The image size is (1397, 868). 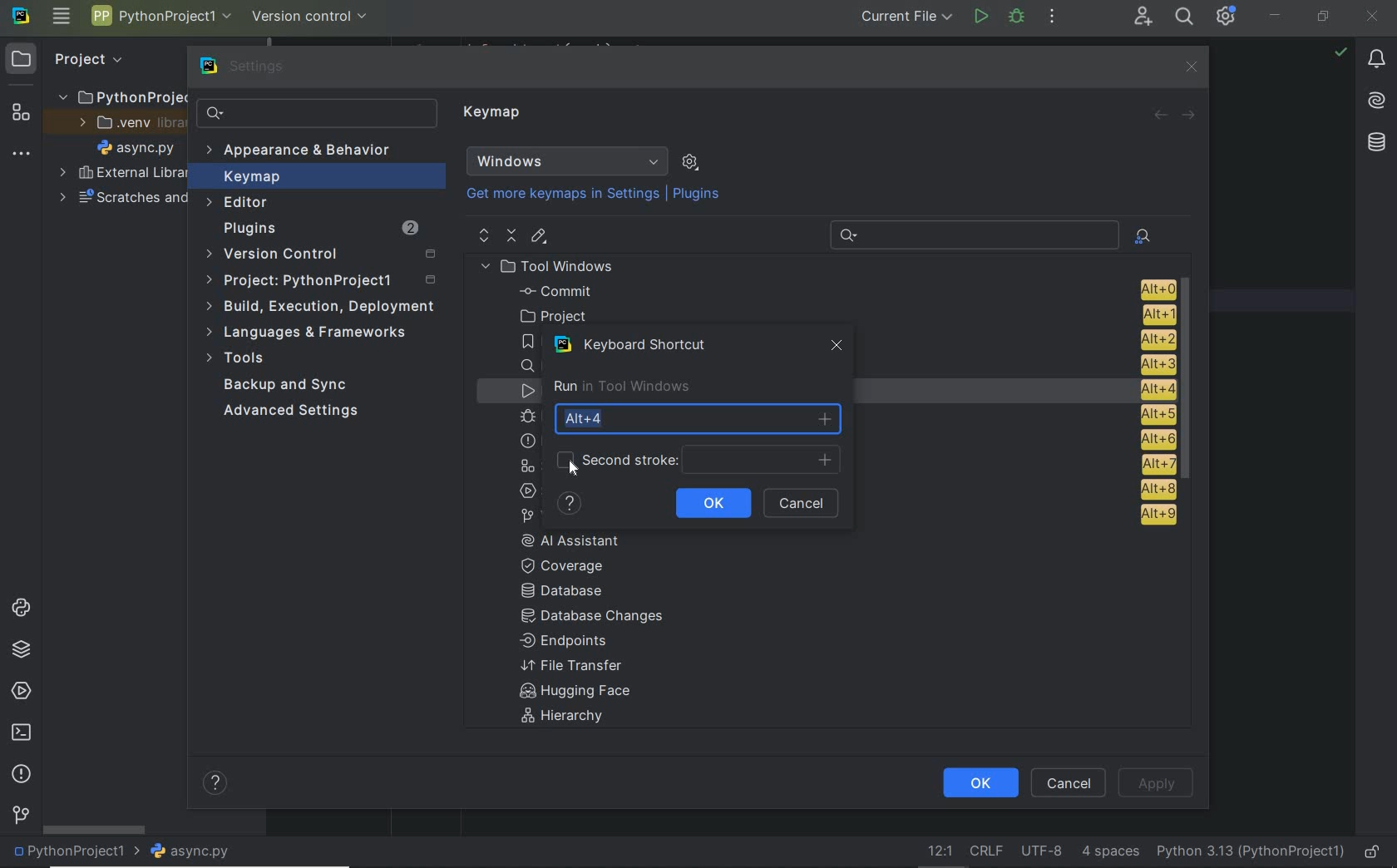 What do you see at coordinates (1324, 17) in the screenshot?
I see `restore down` at bounding box center [1324, 17].